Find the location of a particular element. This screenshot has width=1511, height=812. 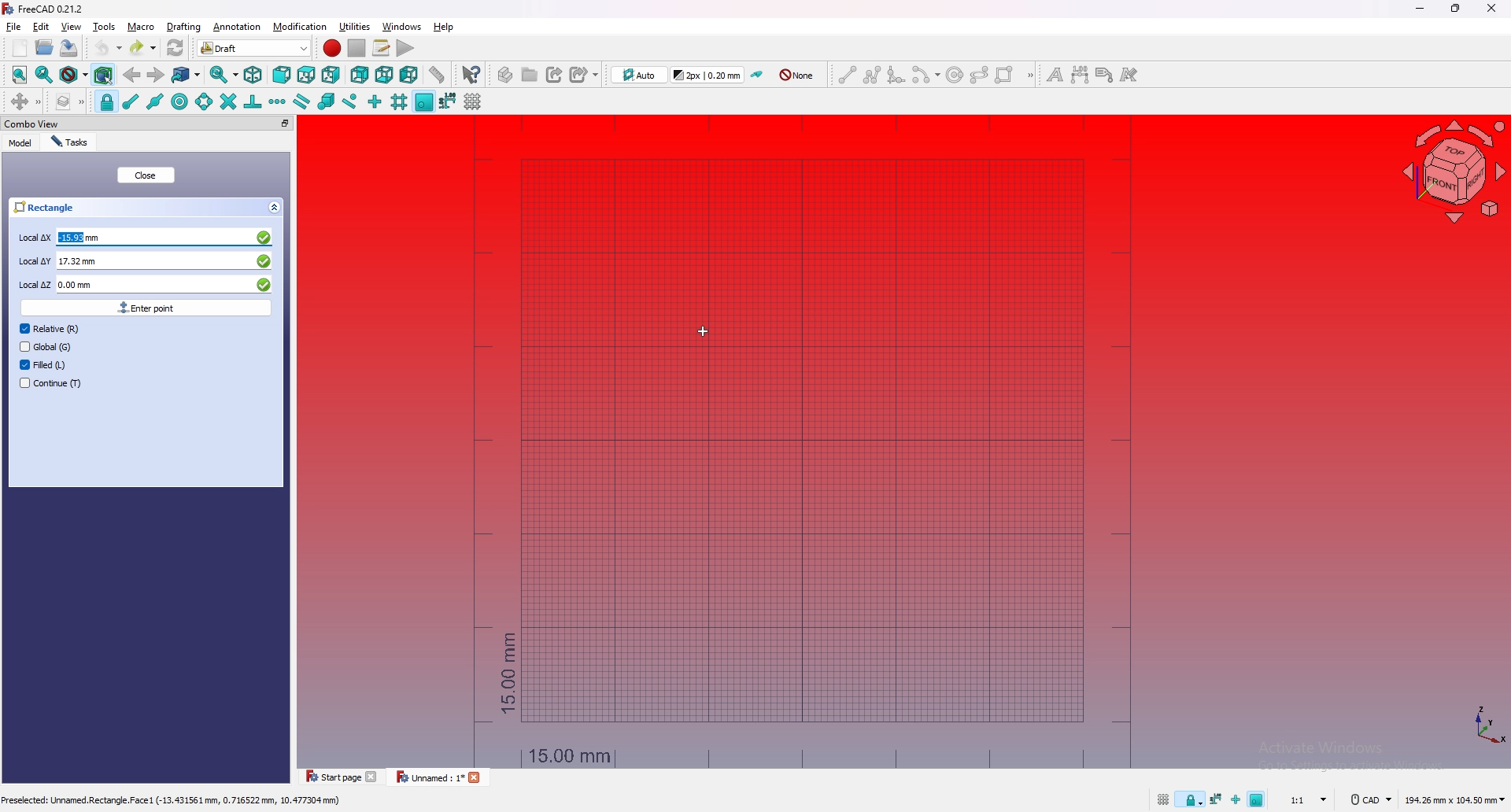

unnamed : 1* is located at coordinates (430, 778).